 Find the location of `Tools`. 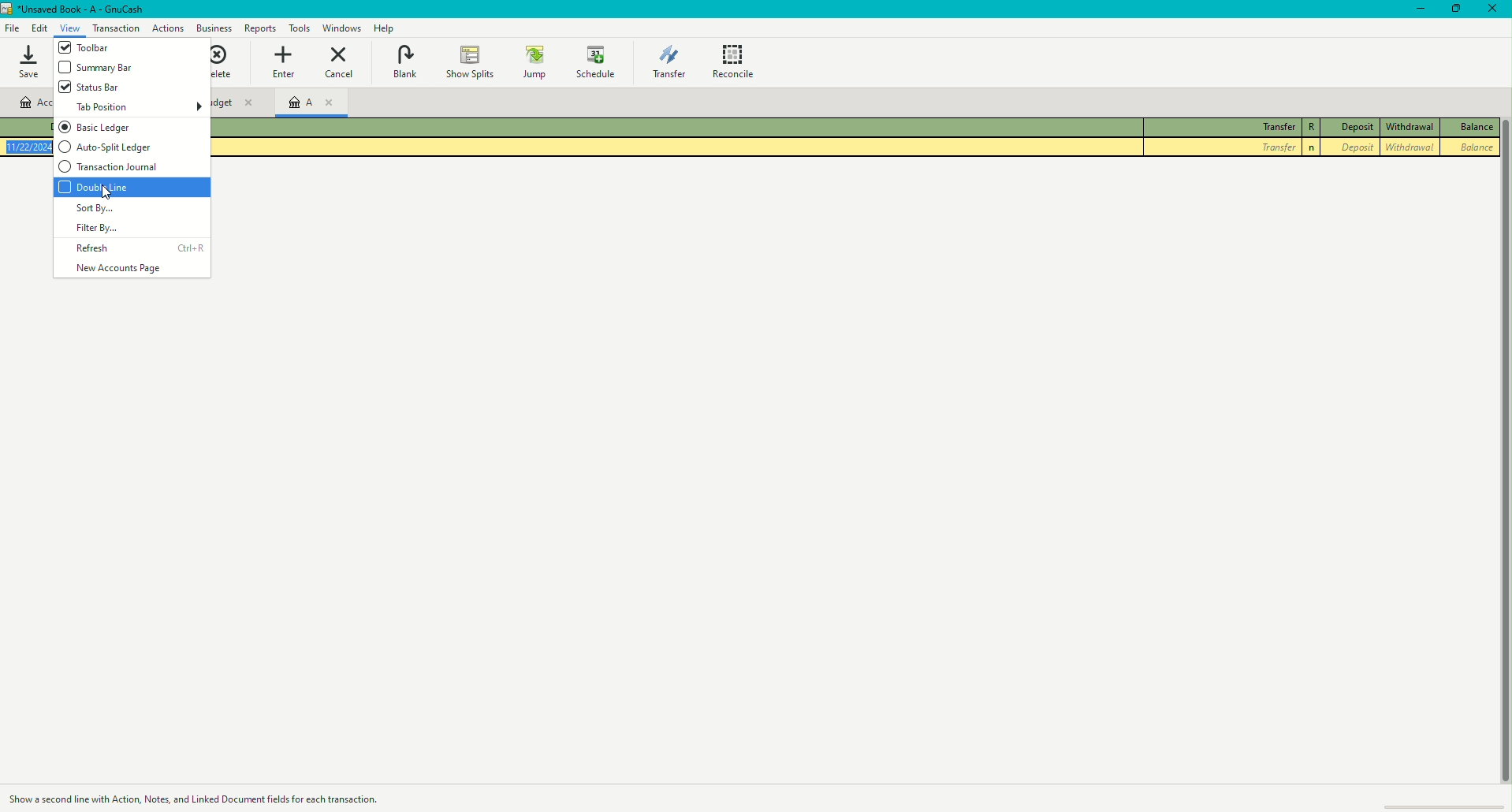

Tools is located at coordinates (298, 28).